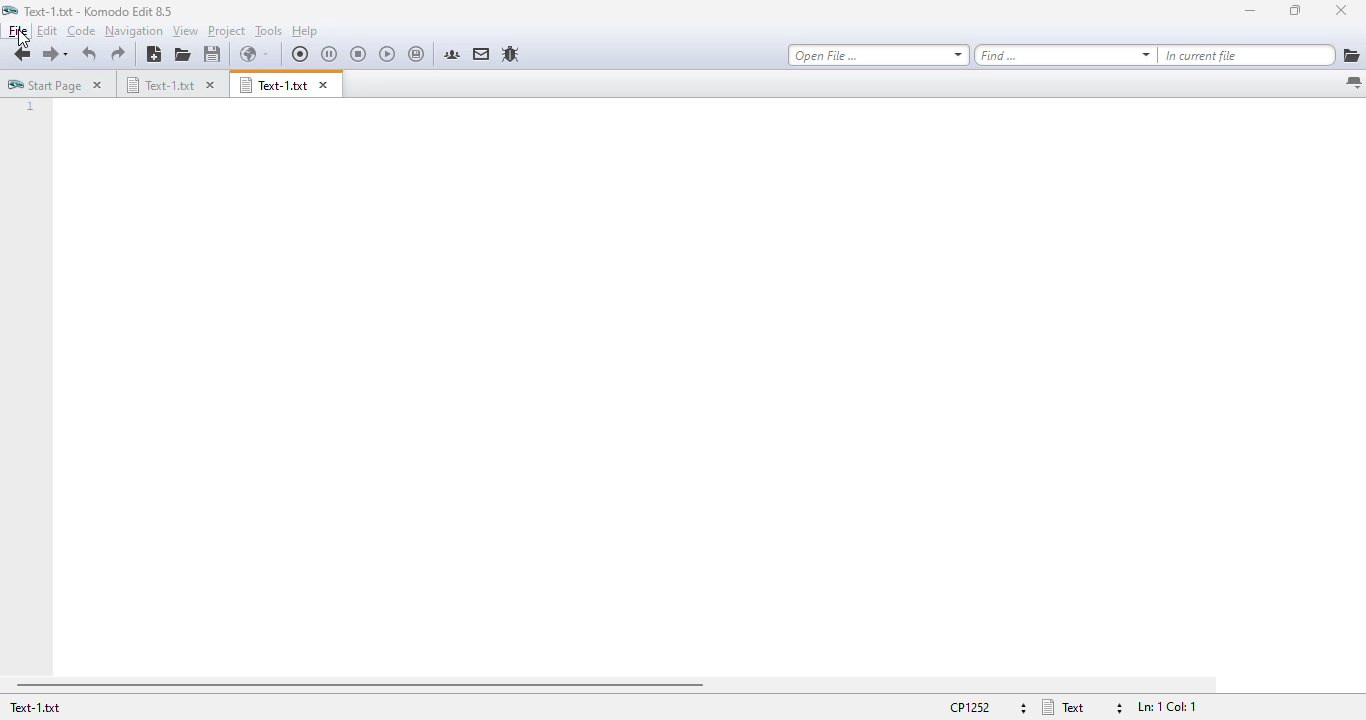  What do you see at coordinates (211, 85) in the screenshot?
I see `close tab` at bounding box center [211, 85].